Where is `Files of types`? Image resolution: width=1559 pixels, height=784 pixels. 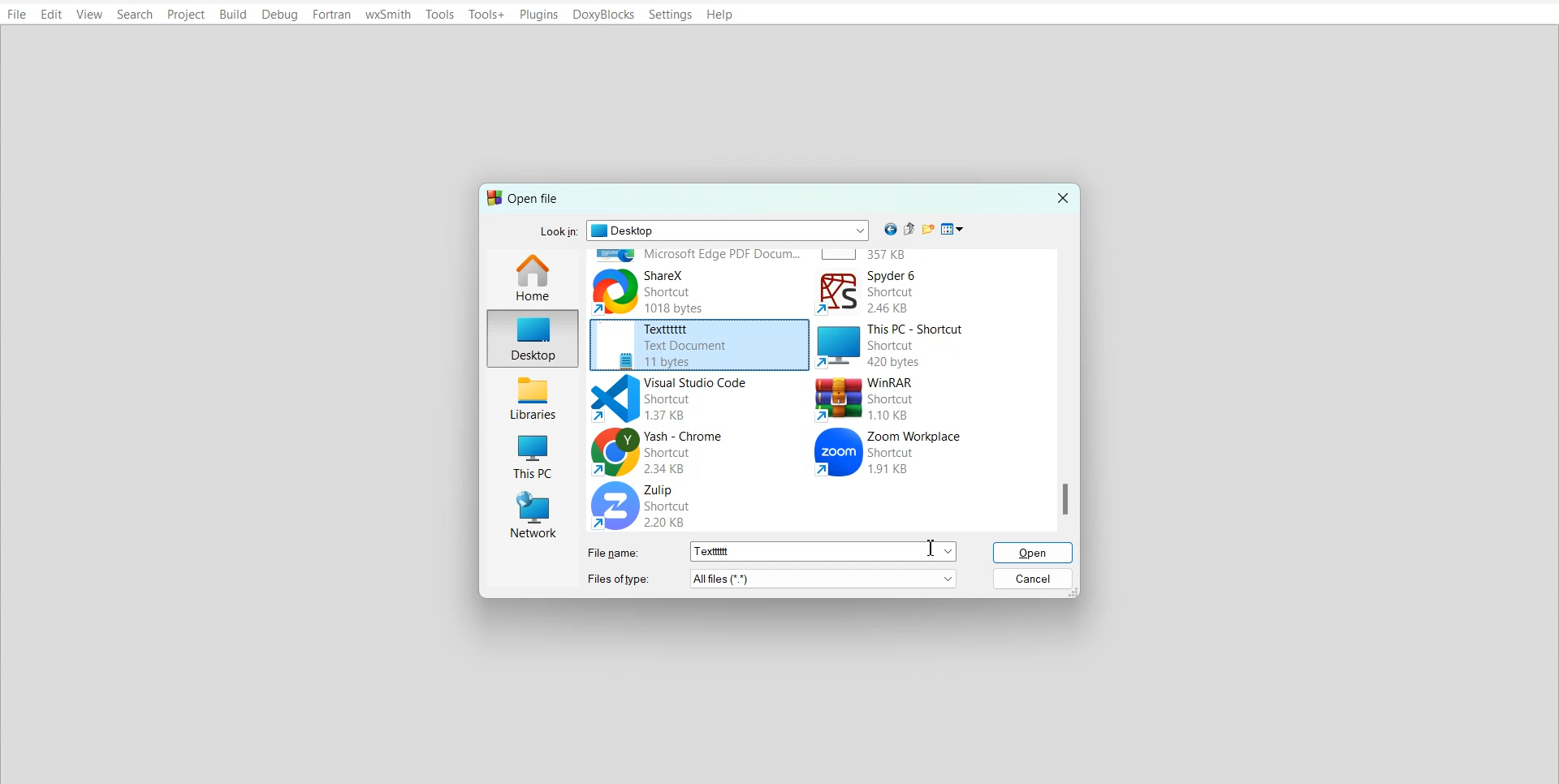
Files of types is located at coordinates (618, 579).